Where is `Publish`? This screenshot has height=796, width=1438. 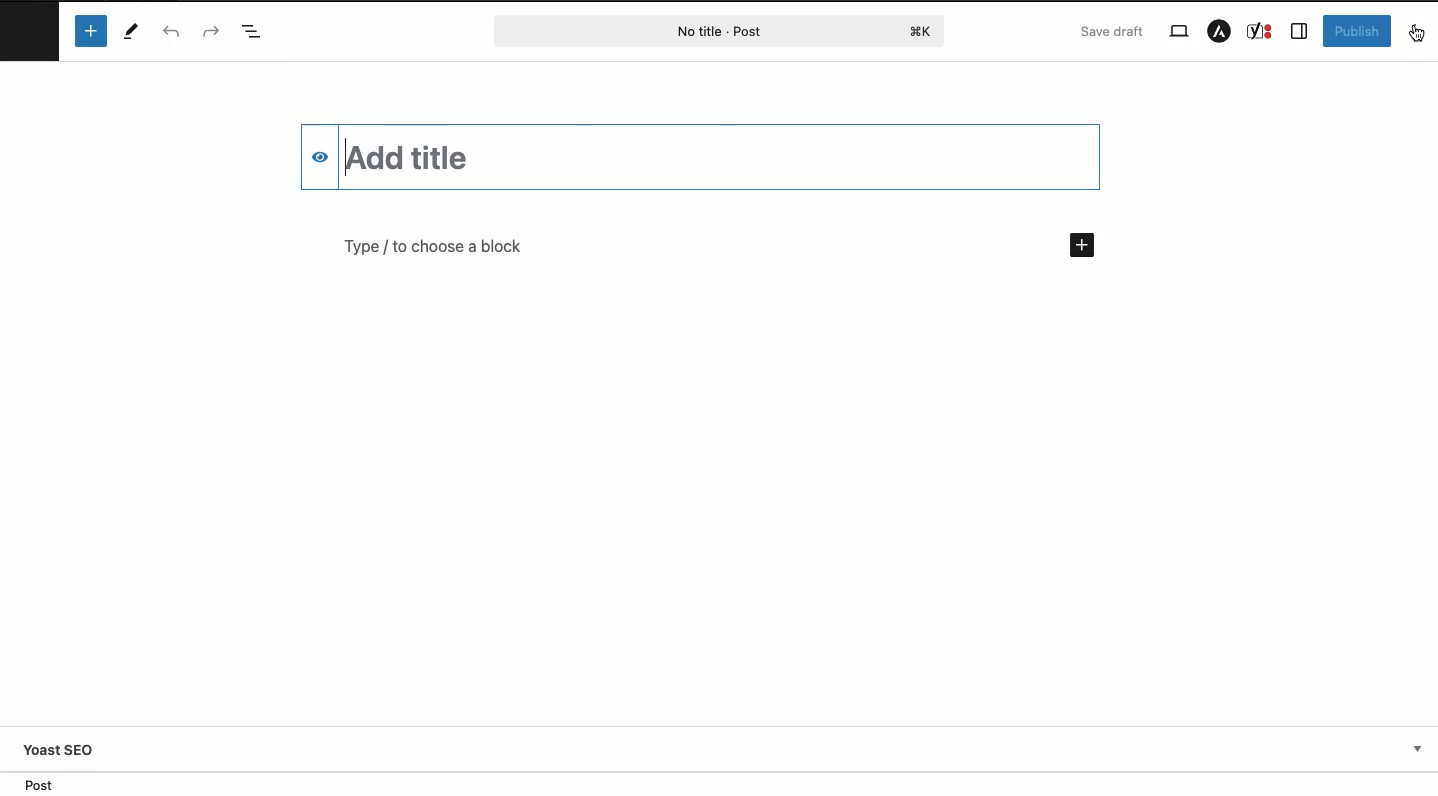
Publish is located at coordinates (1355, 31).